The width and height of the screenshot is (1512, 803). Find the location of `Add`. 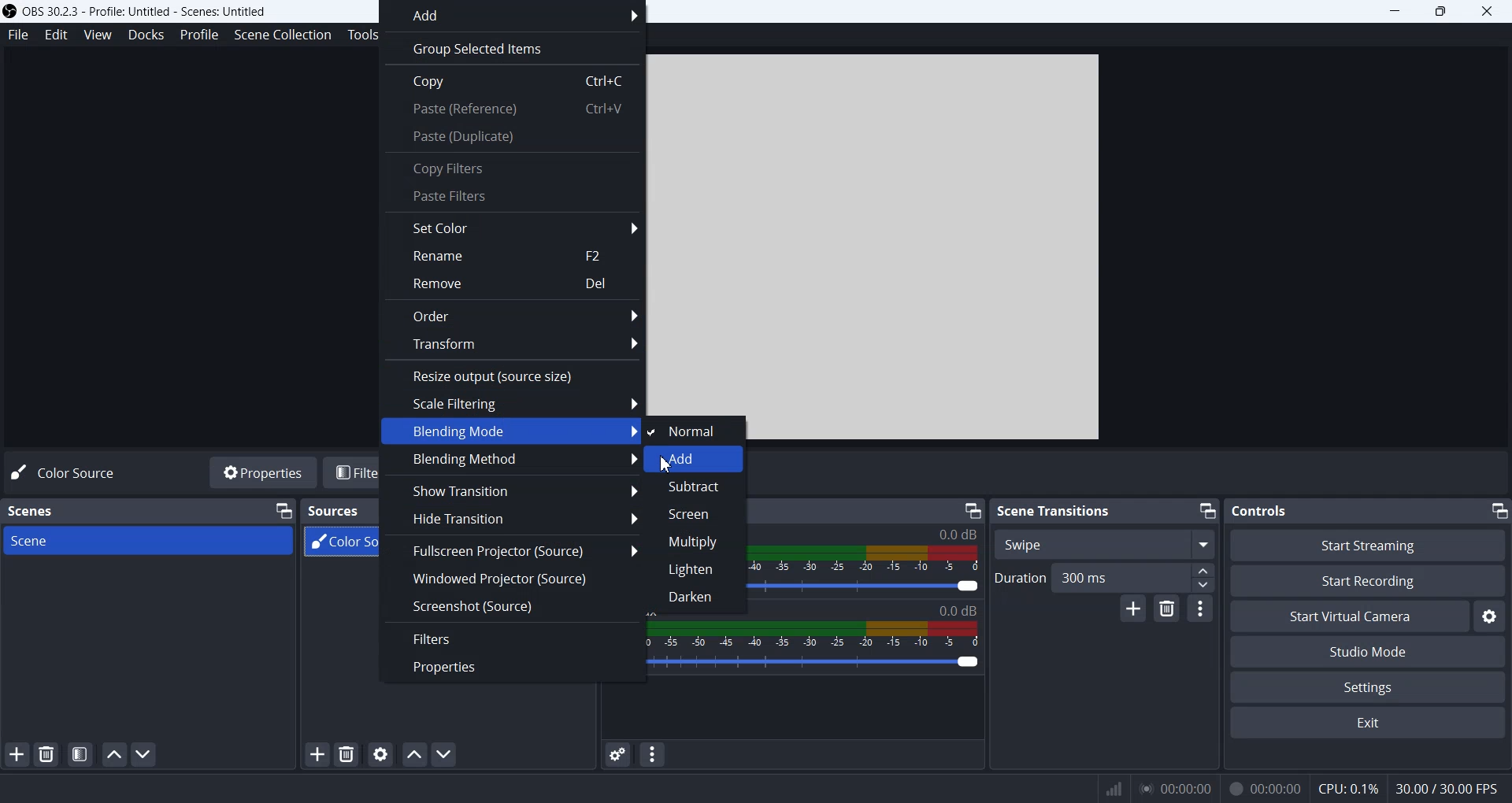

Add is located at coordinates (696, 460).